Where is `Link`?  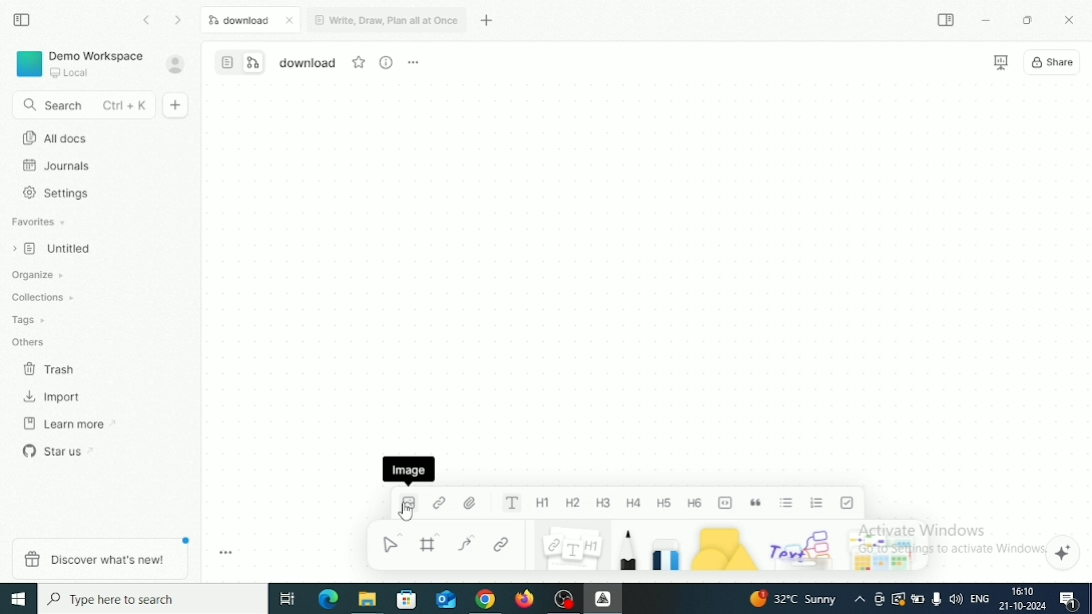
Link is located at coordinates (502, 546).